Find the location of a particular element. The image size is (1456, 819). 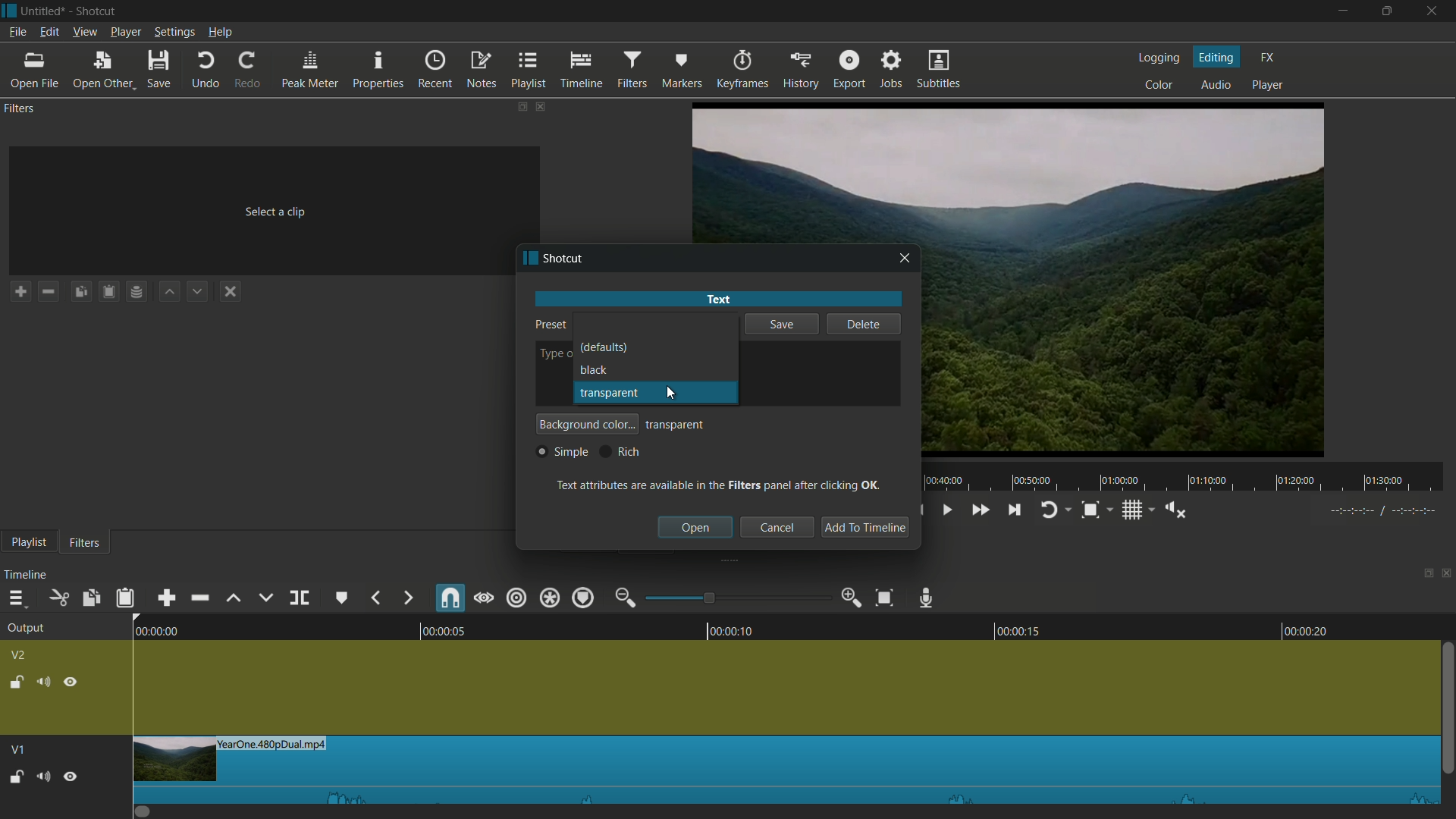

transparent is located at coordinates (676, 425).